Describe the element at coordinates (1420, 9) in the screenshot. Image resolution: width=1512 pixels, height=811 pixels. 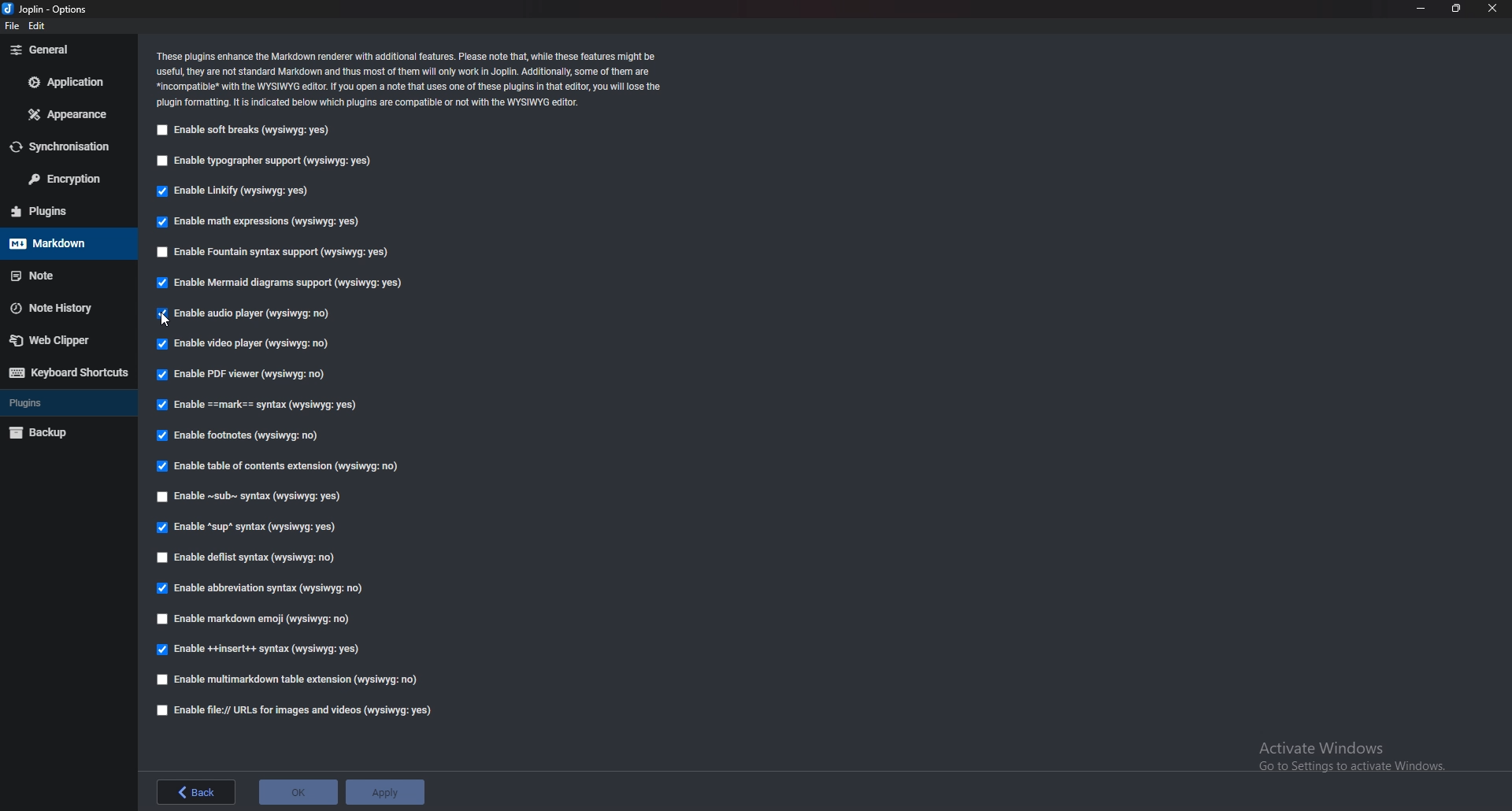
I see `minimize` at that location.